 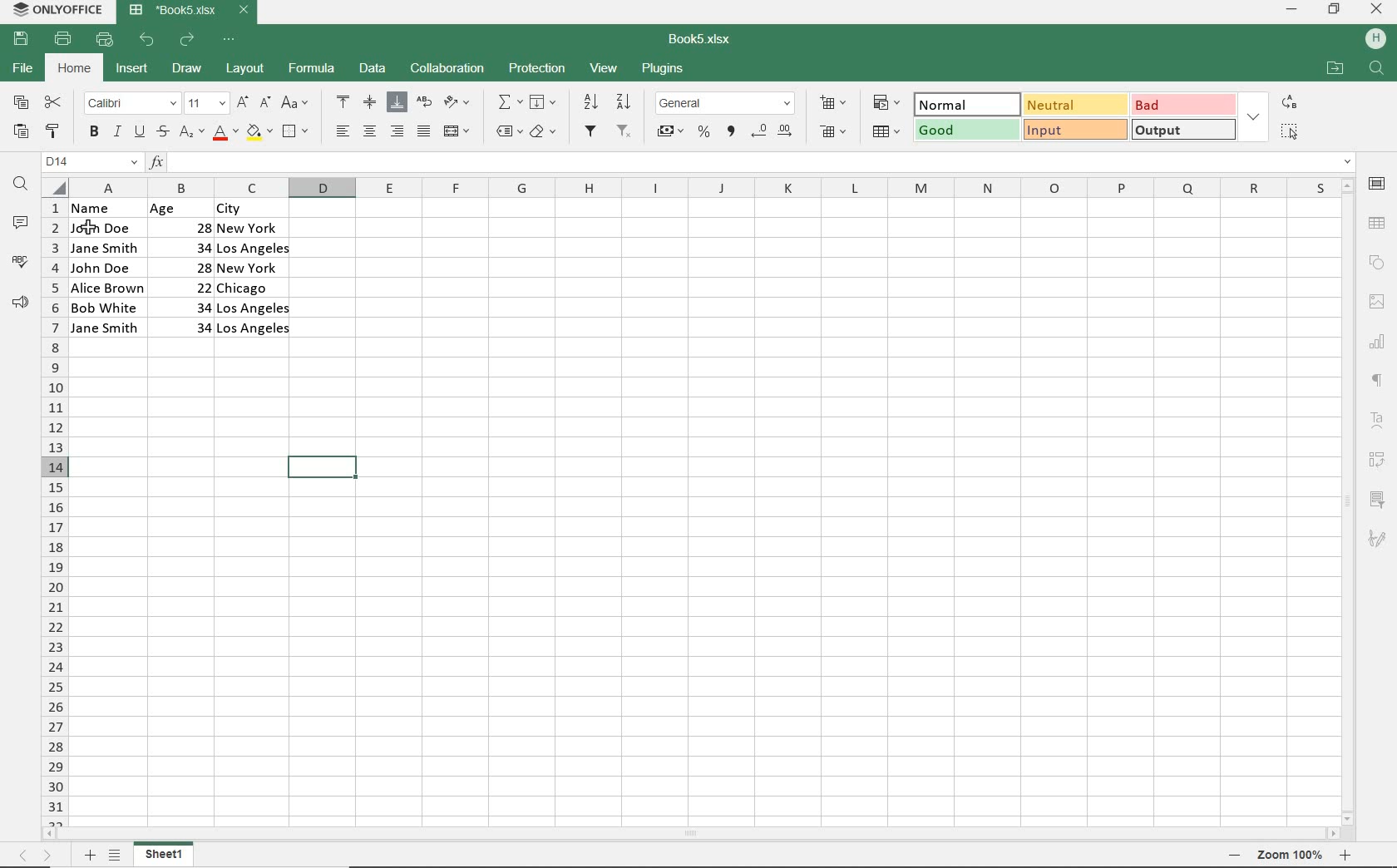 What do you see at coordinates (23, 223) in the screenshot?
I see `COMMENTS` at bounding box center [23, 223].